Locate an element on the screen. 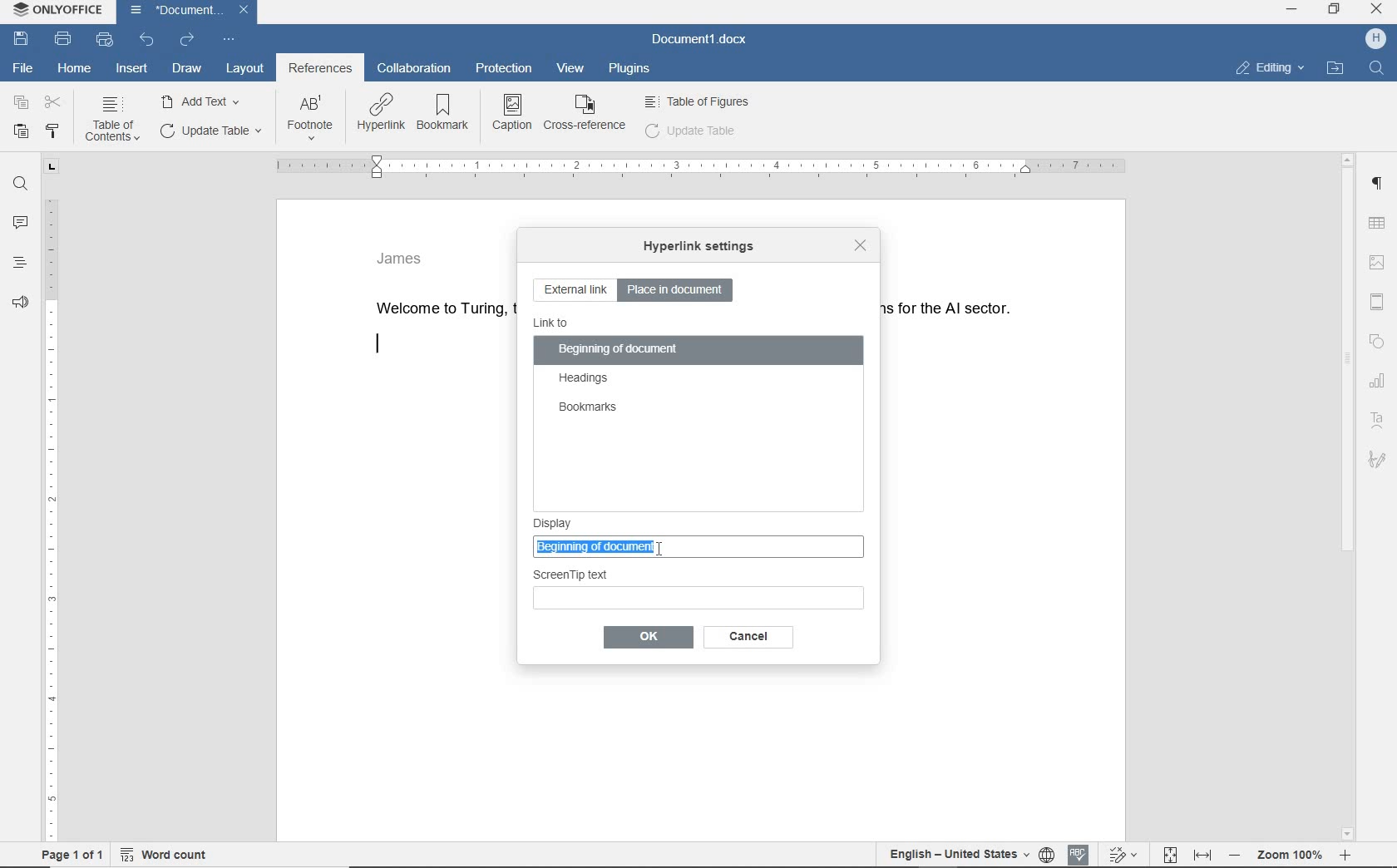 This screenshot has width=1397, height=868. file is located at coordinates (23, 68).